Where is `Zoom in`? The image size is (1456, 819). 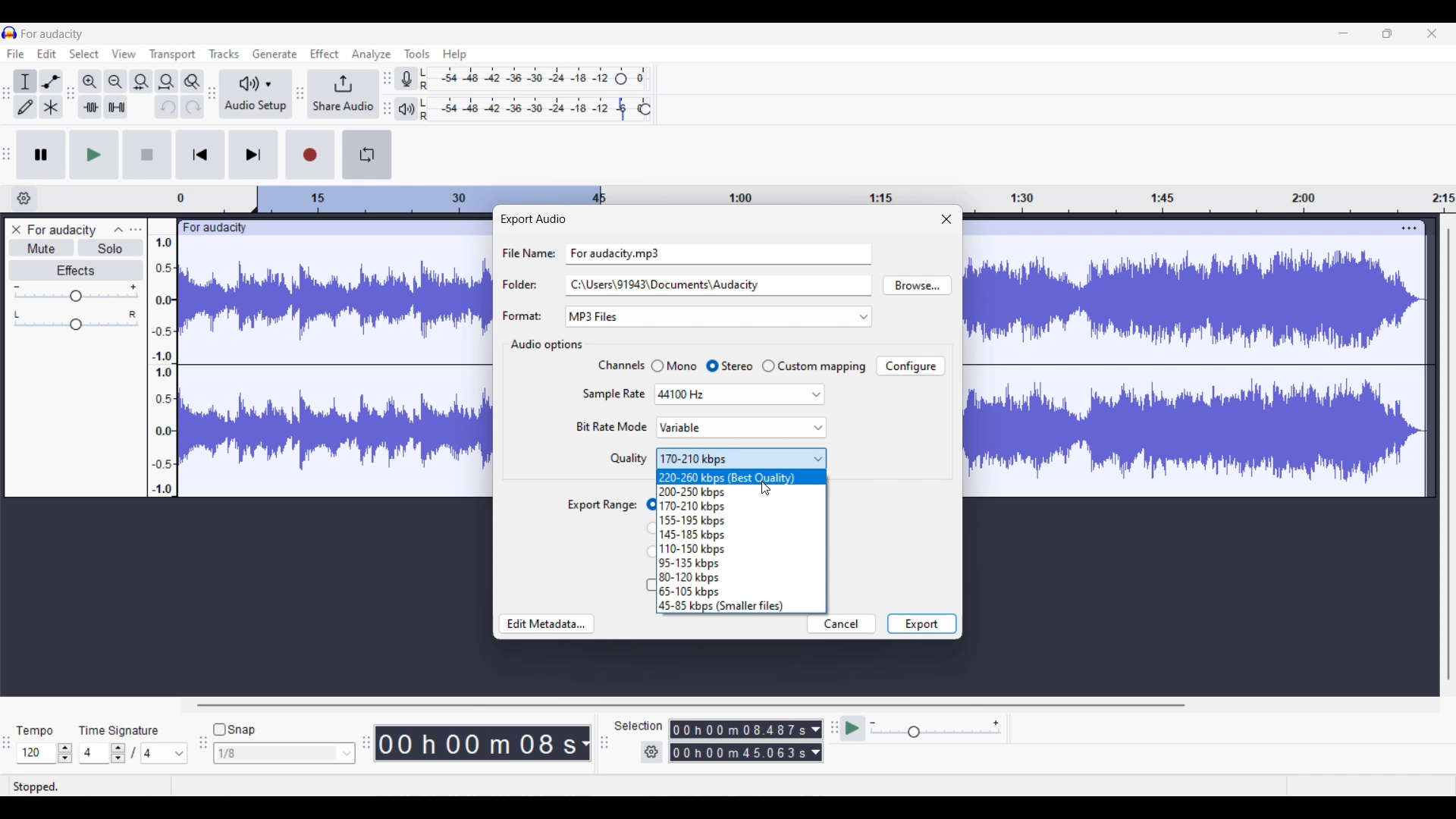
Zoom in is located at coordinates (89, 82).